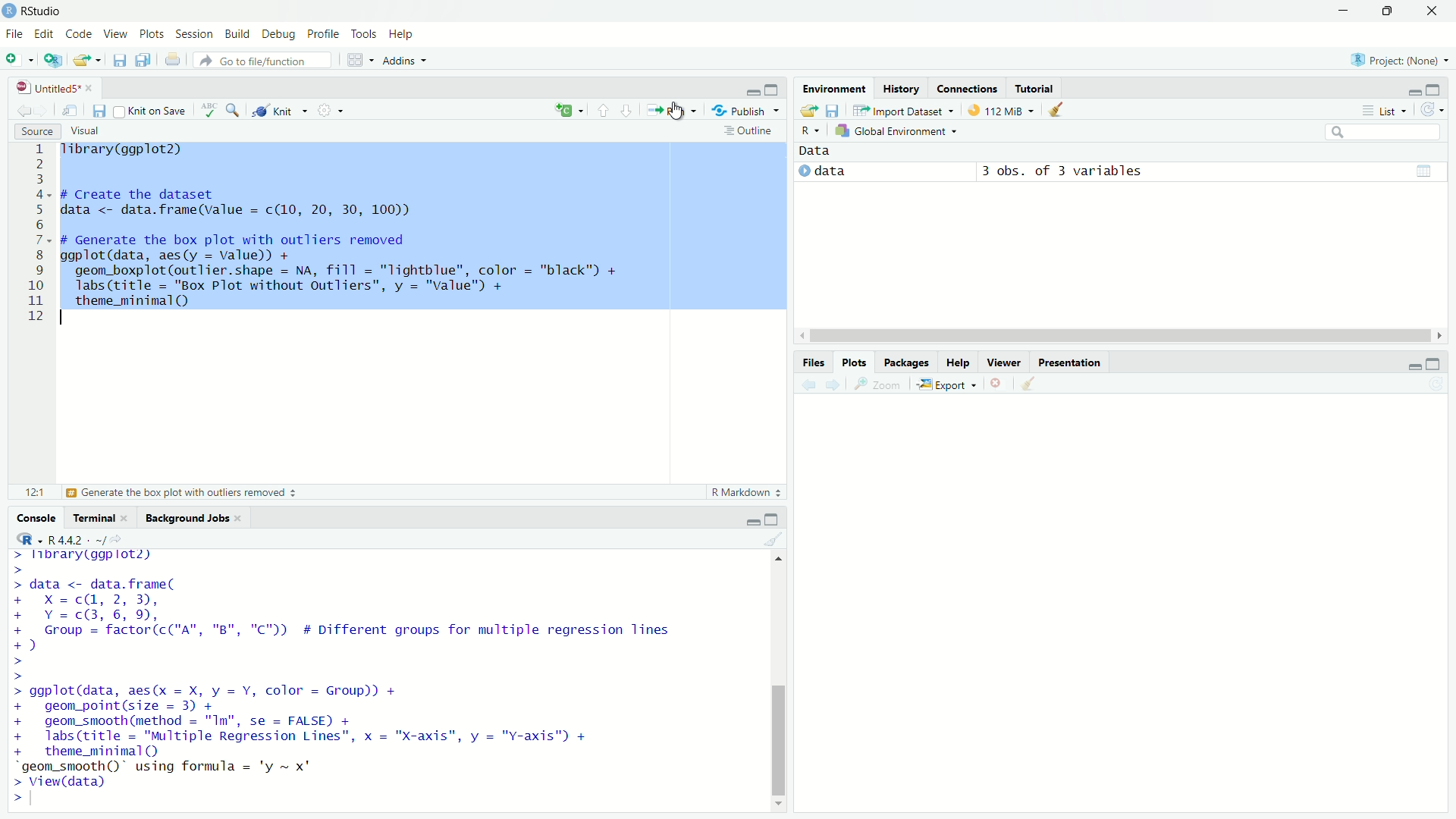 The height and width of the screenshot is (819, 1456). I want to click on Viewer, so click(1003, 361).